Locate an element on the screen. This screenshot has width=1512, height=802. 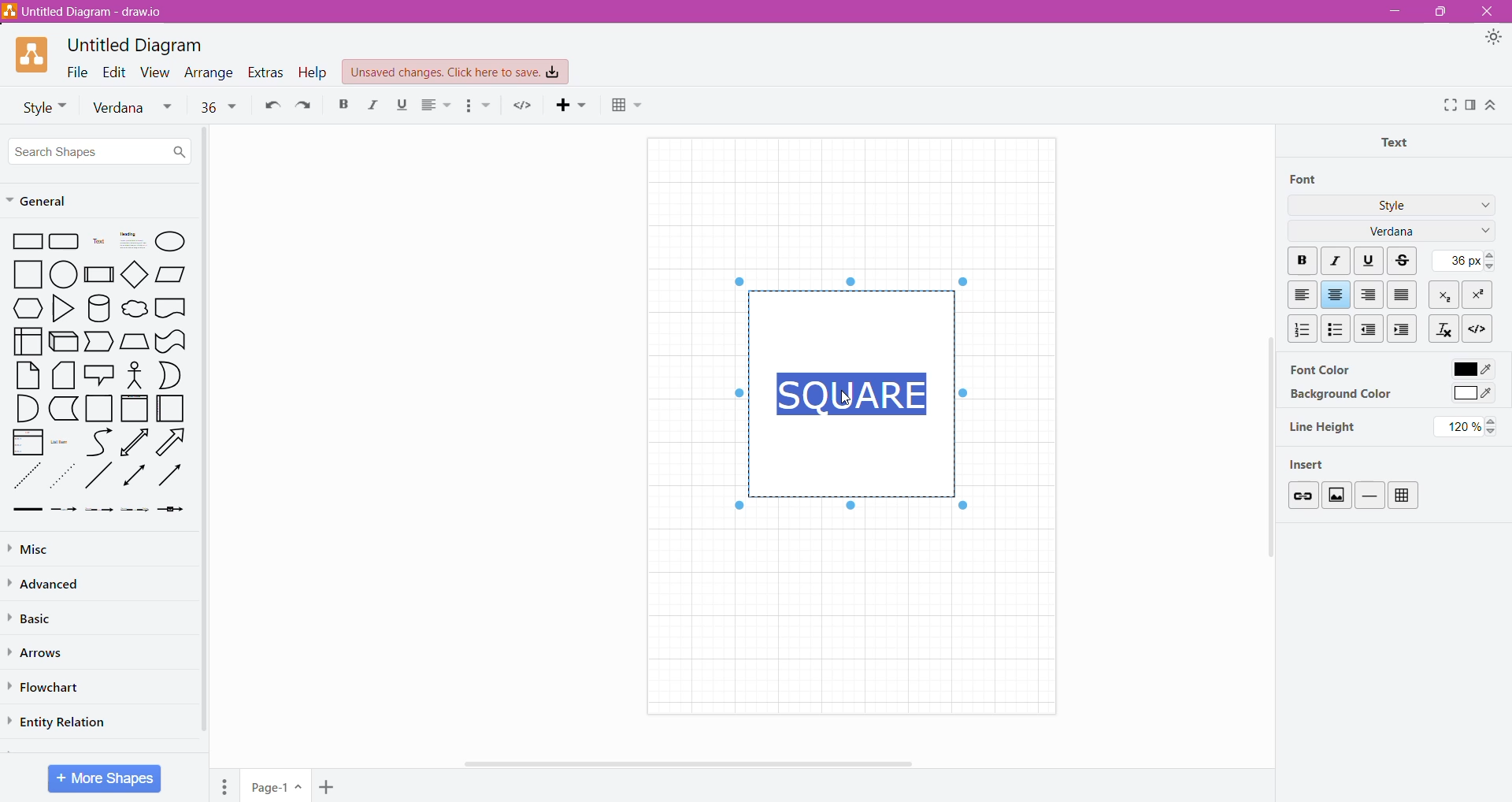
Text is located at coordinates (99, 241).